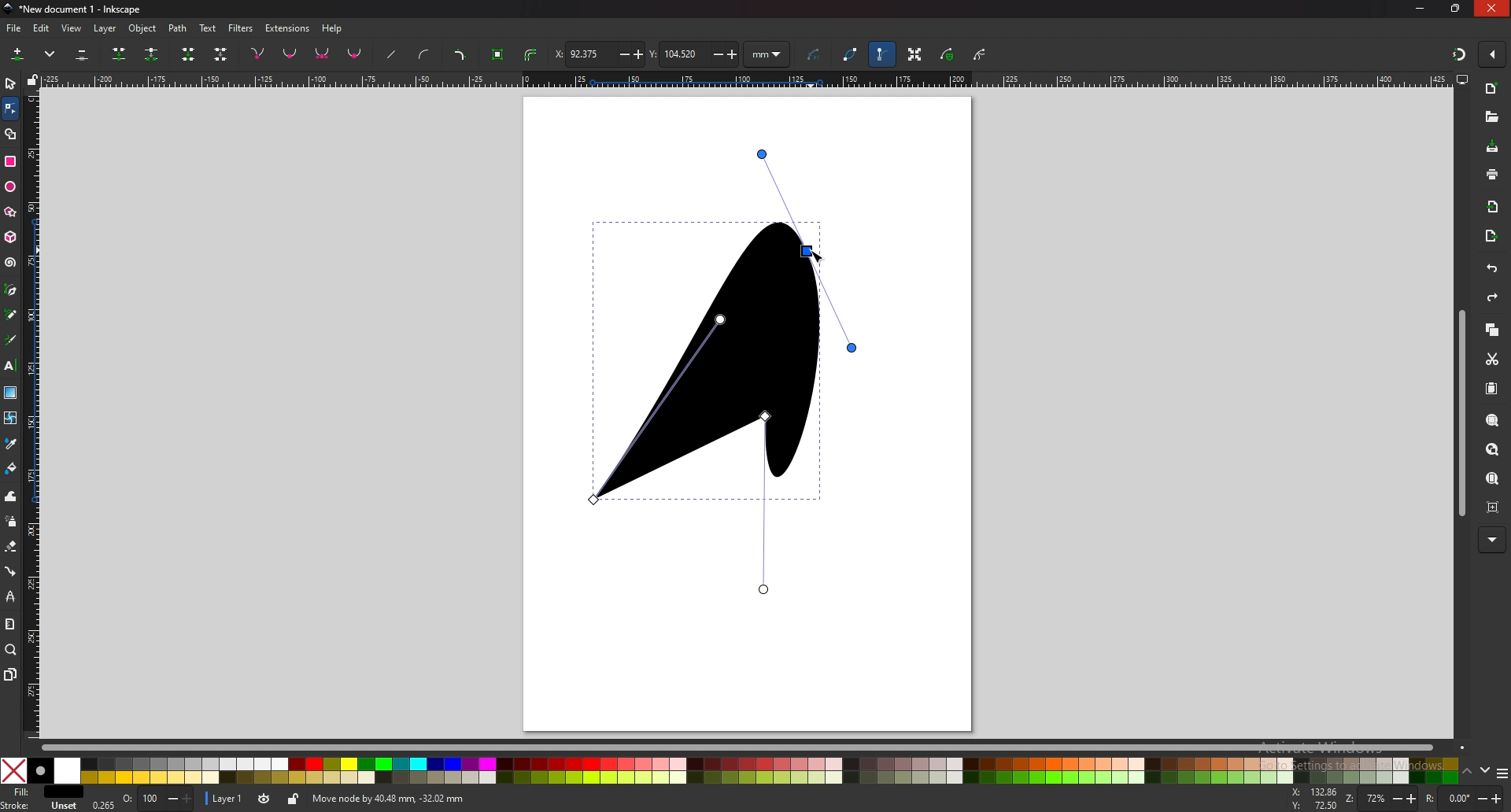 This screenshot has width=1511, height=812. I want to click on rectangle, so click(10, 161).